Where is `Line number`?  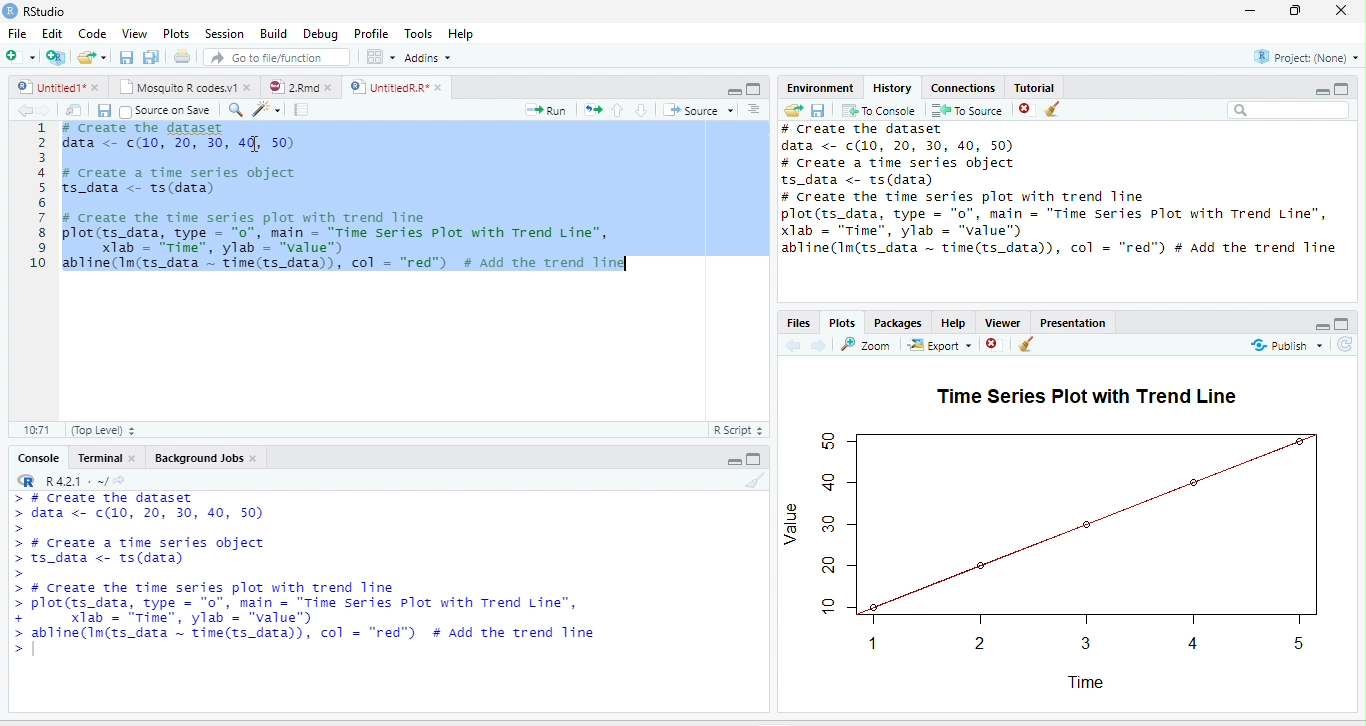 Line number is located at coordinates (36, 197).